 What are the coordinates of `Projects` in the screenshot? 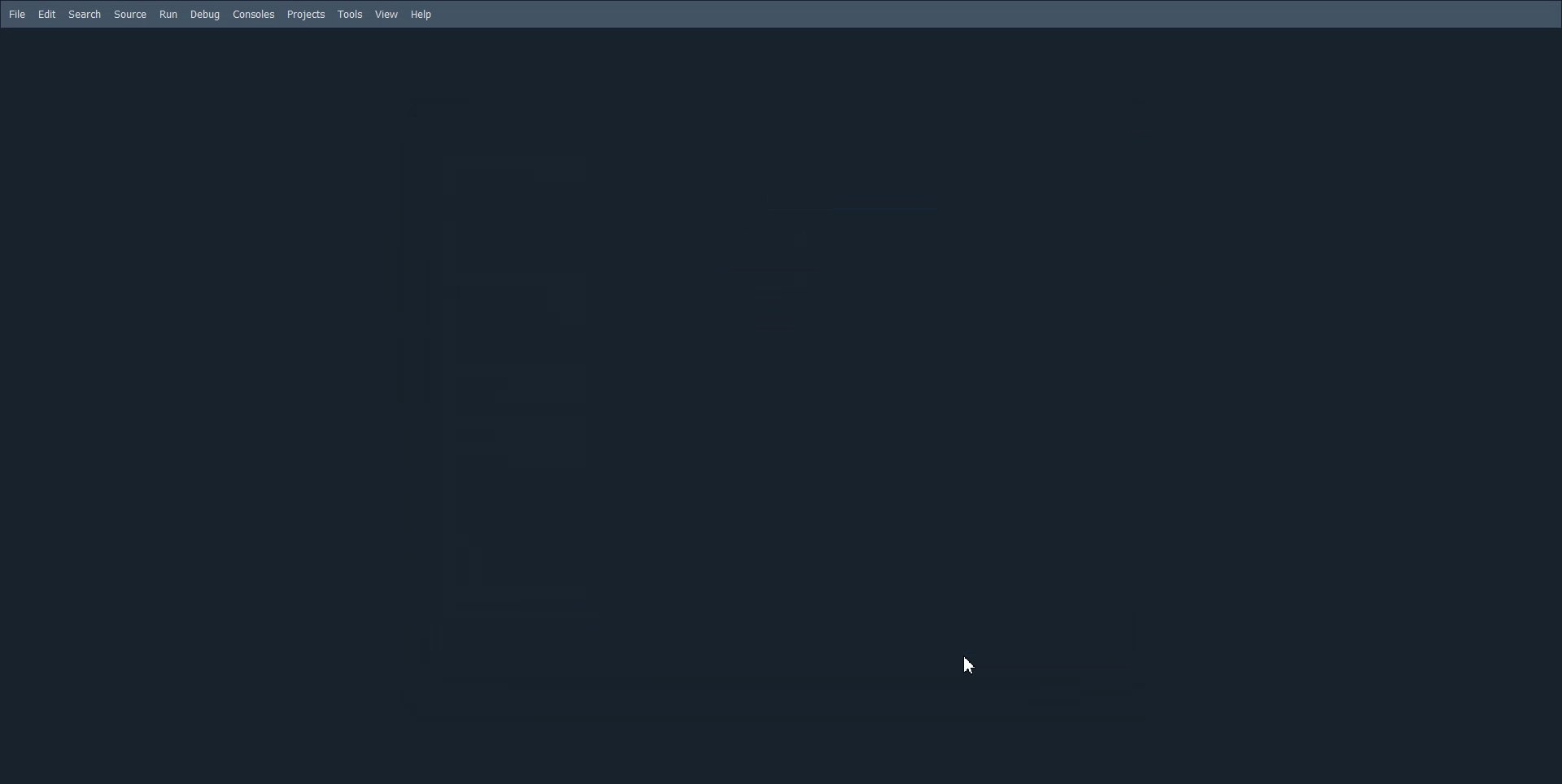 It's located at (306, 14).